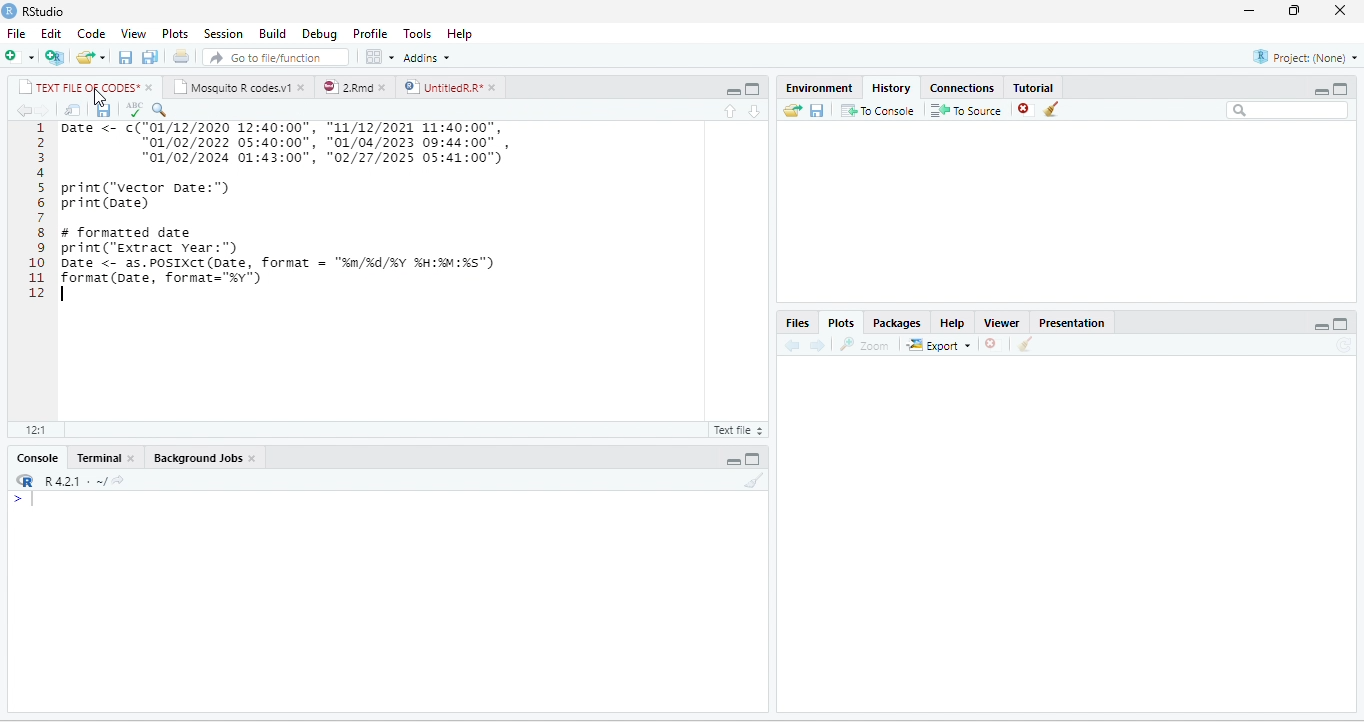  I want to click on save all, so click(149, 56).